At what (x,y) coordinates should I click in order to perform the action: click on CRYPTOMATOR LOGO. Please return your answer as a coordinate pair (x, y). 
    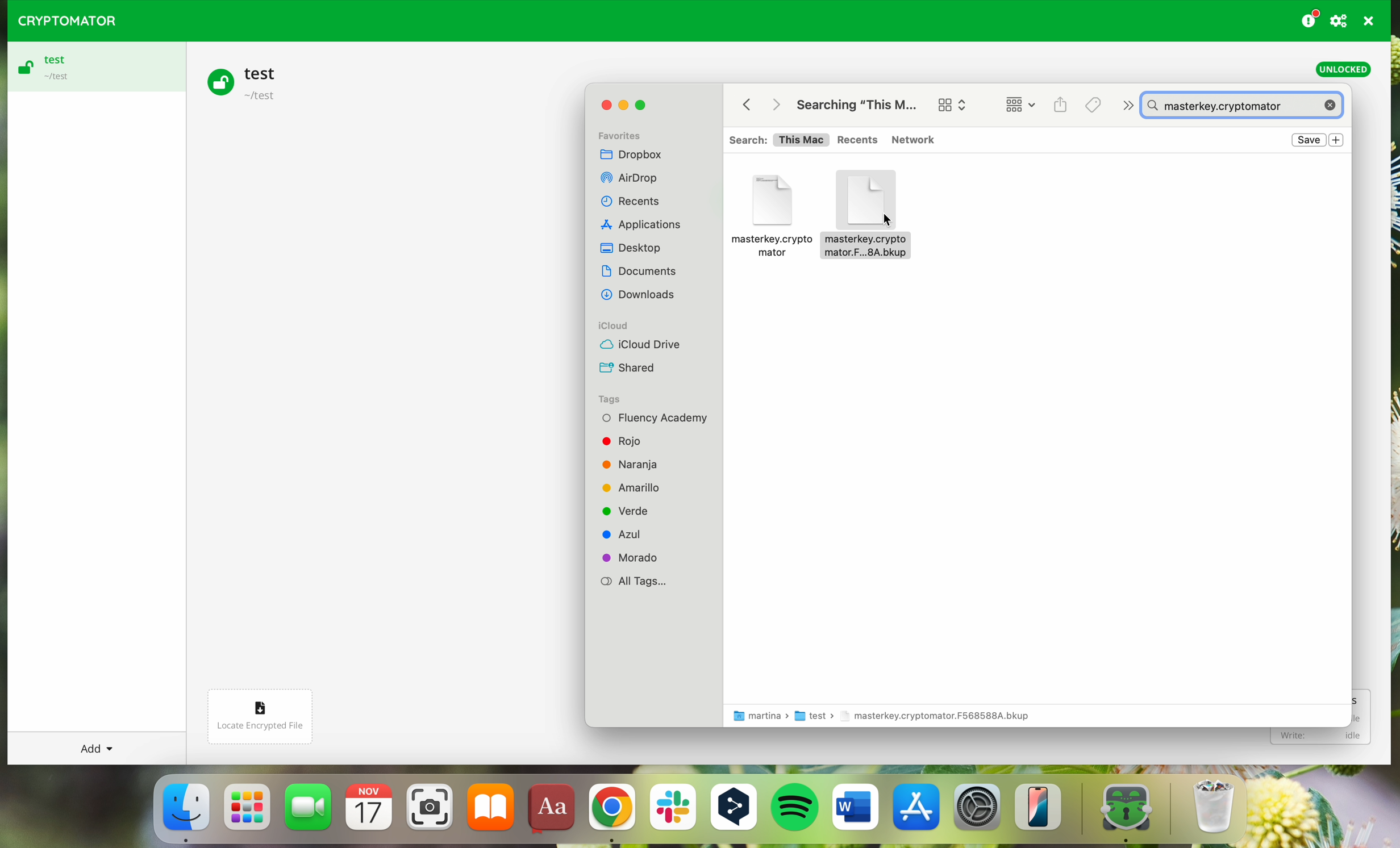
    Looking at the image, I should click on (62, 18).